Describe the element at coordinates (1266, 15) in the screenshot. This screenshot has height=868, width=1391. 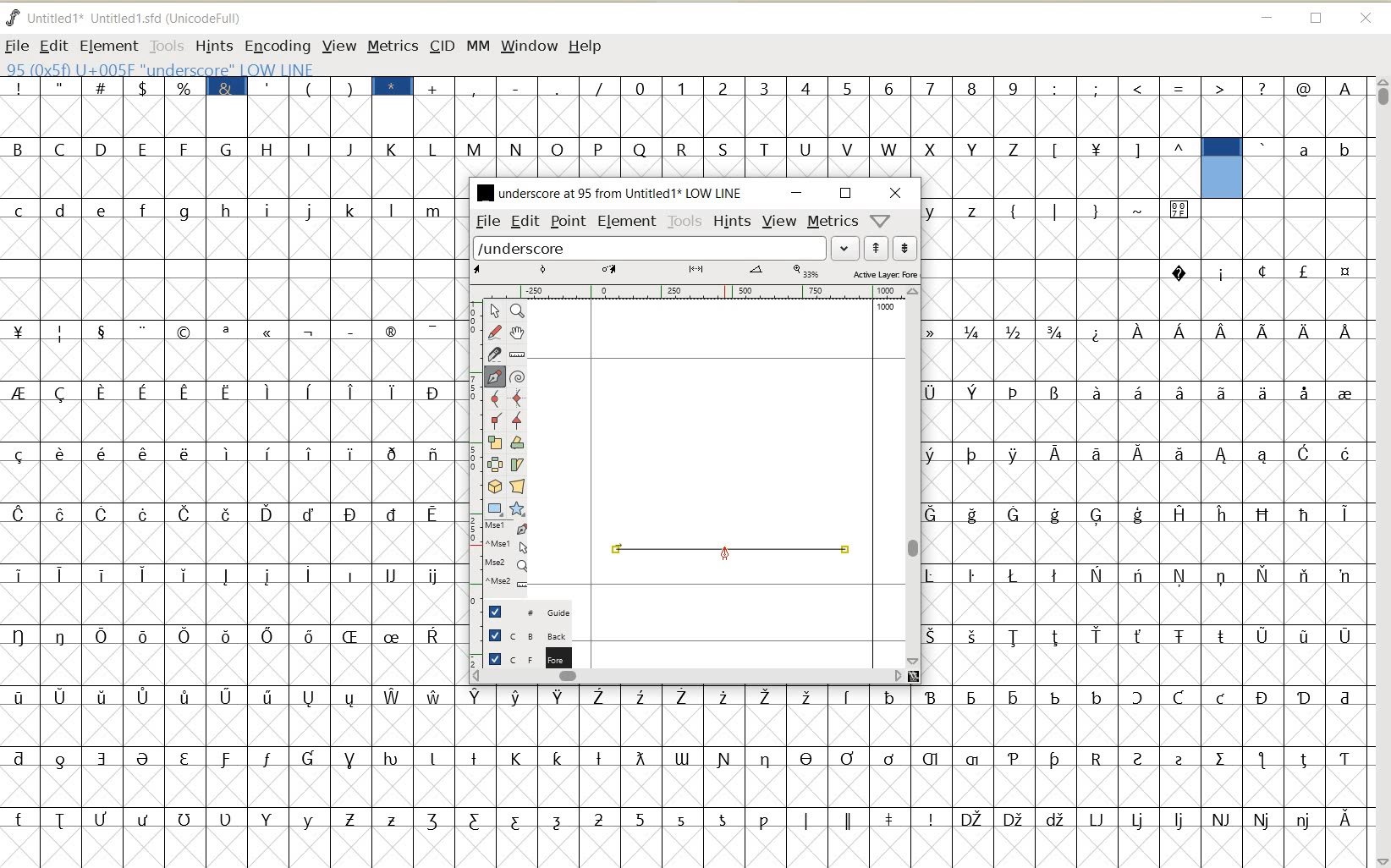
I see `MINIMIZE` at that location.